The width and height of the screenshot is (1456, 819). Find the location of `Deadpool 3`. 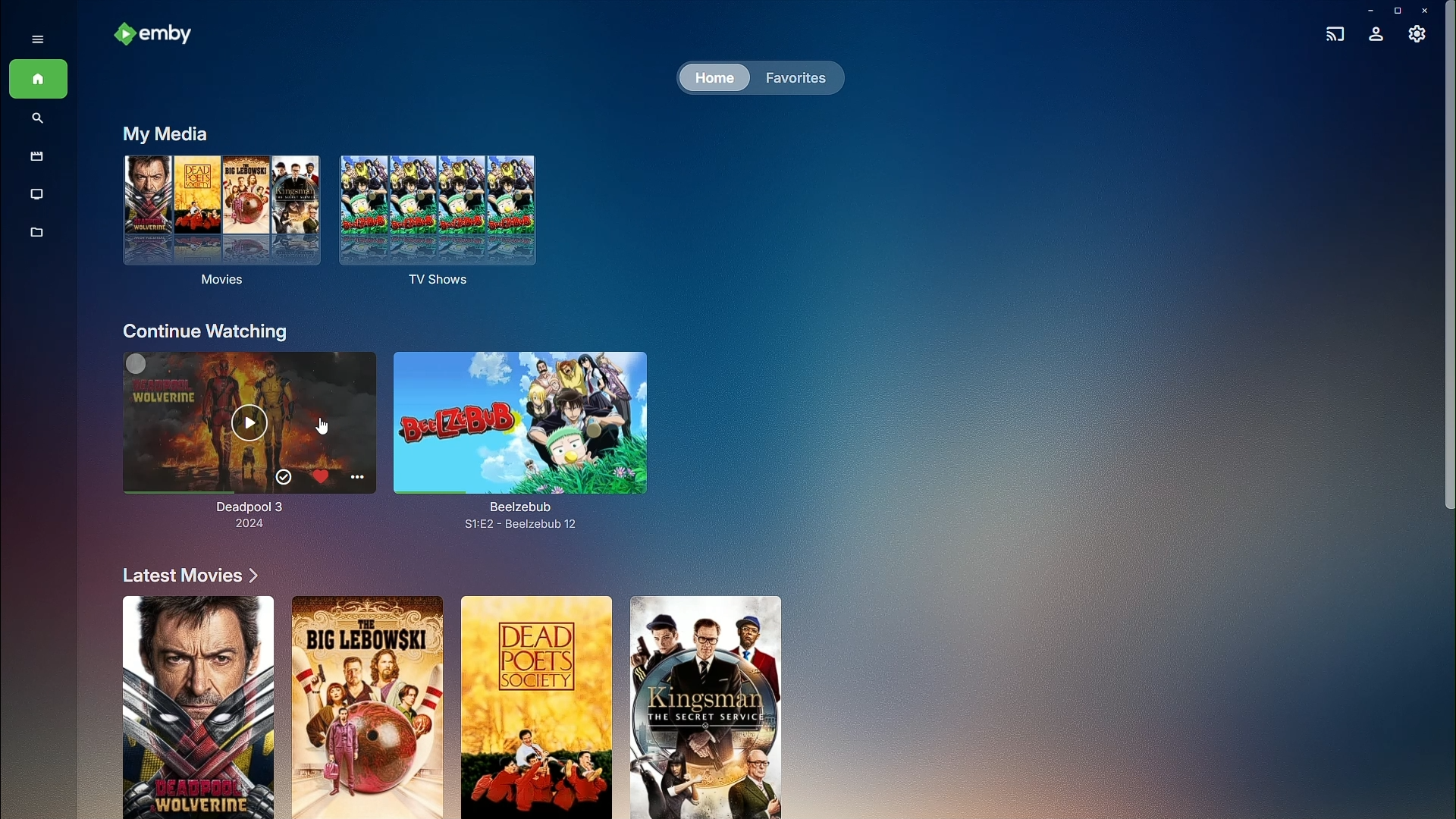

Deadpool 3 is located at coordinates (215, 438).